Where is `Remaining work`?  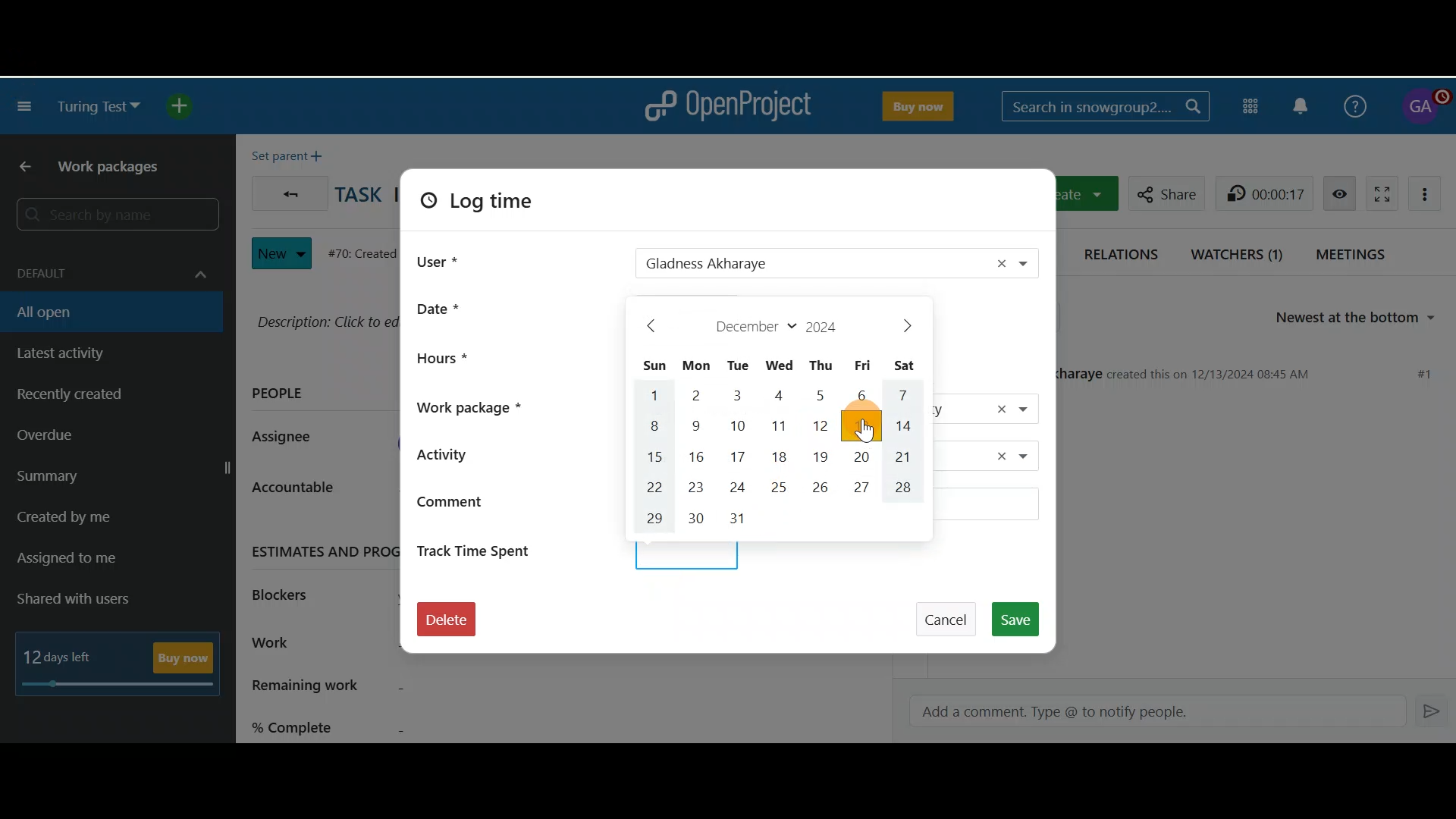 Remaining work is located at coordinates (403, 687).